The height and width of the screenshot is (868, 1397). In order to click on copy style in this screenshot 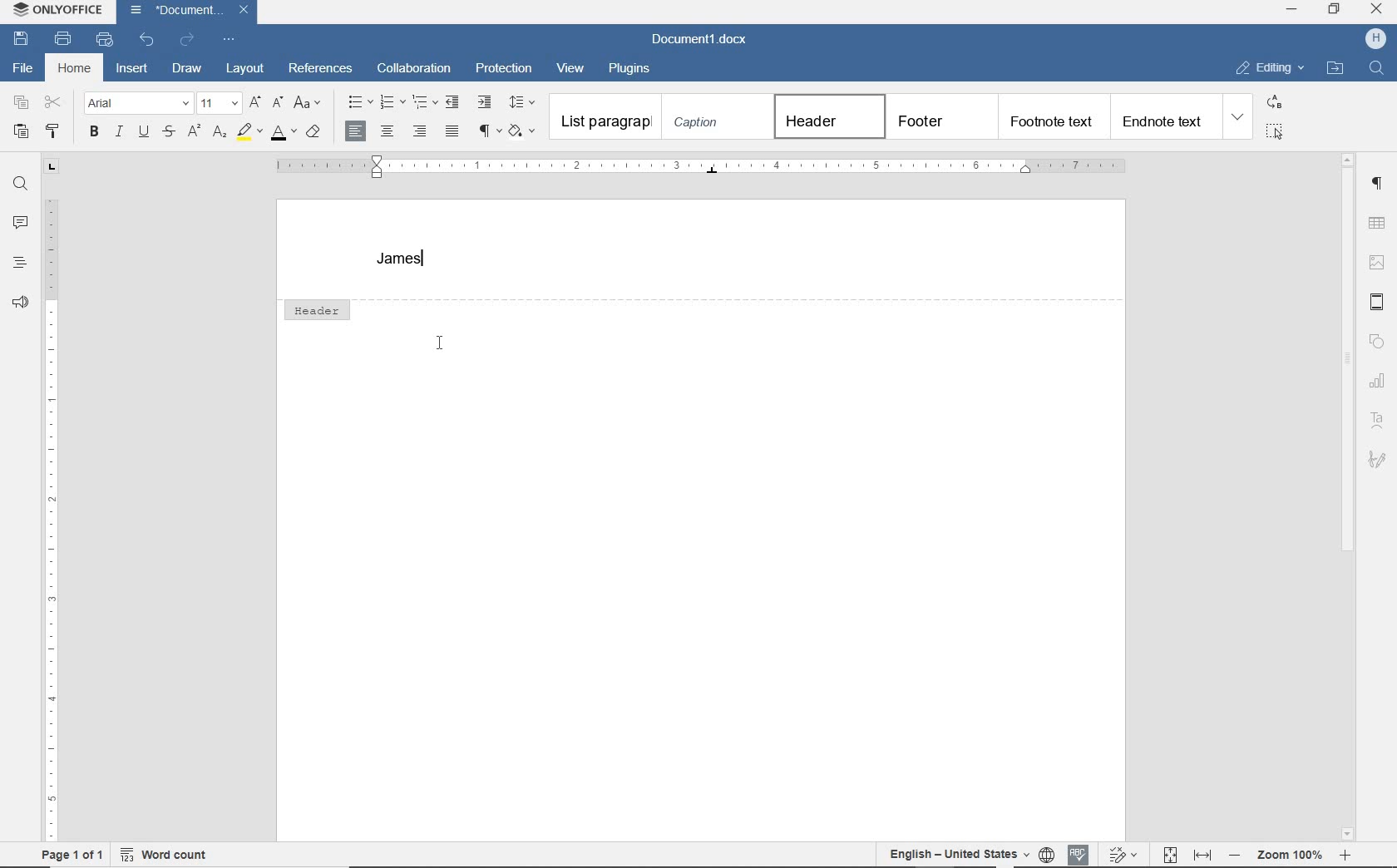, I will do `click(55, 131)`.